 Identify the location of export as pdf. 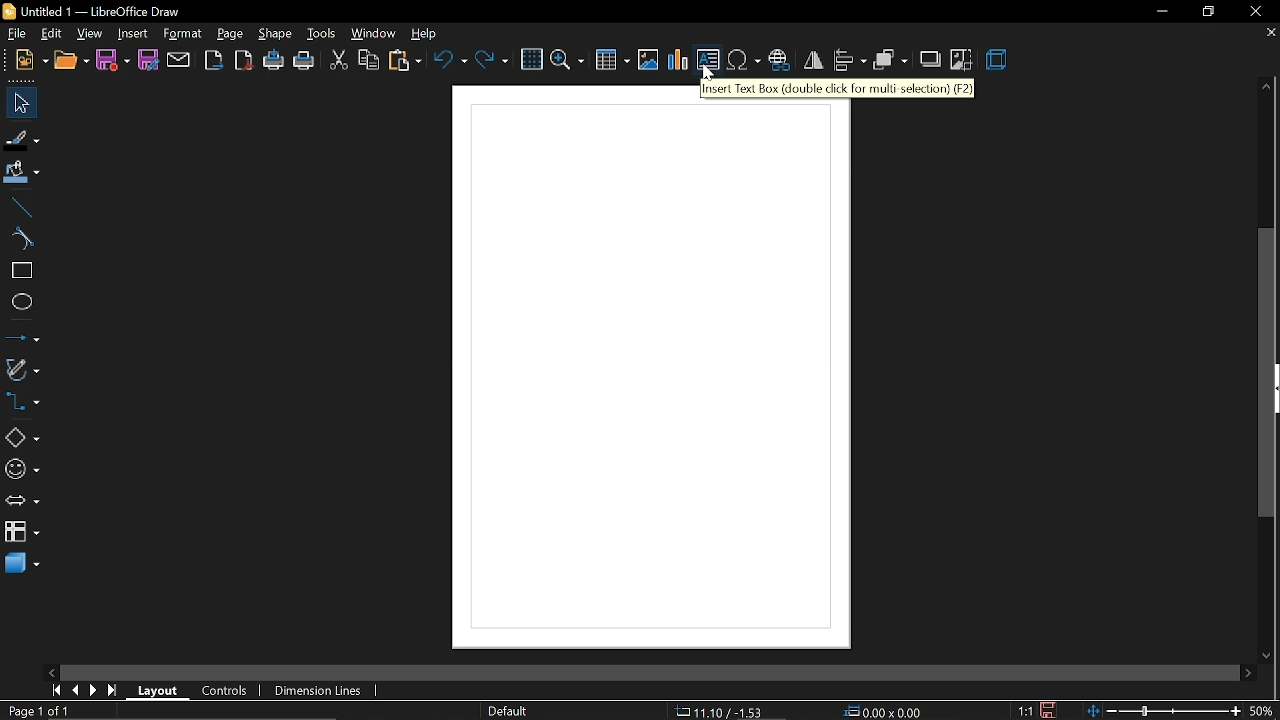
(243, 60).